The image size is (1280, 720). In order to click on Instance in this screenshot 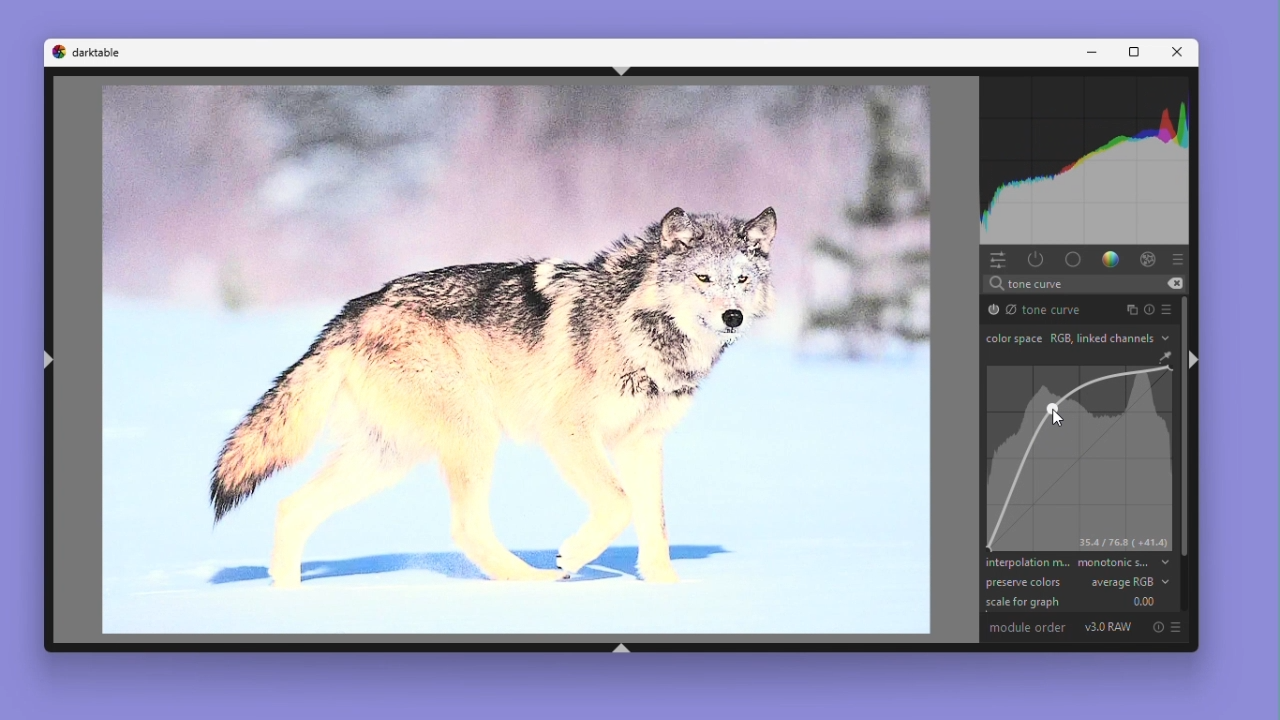, I will do `click(1132, 309)`.